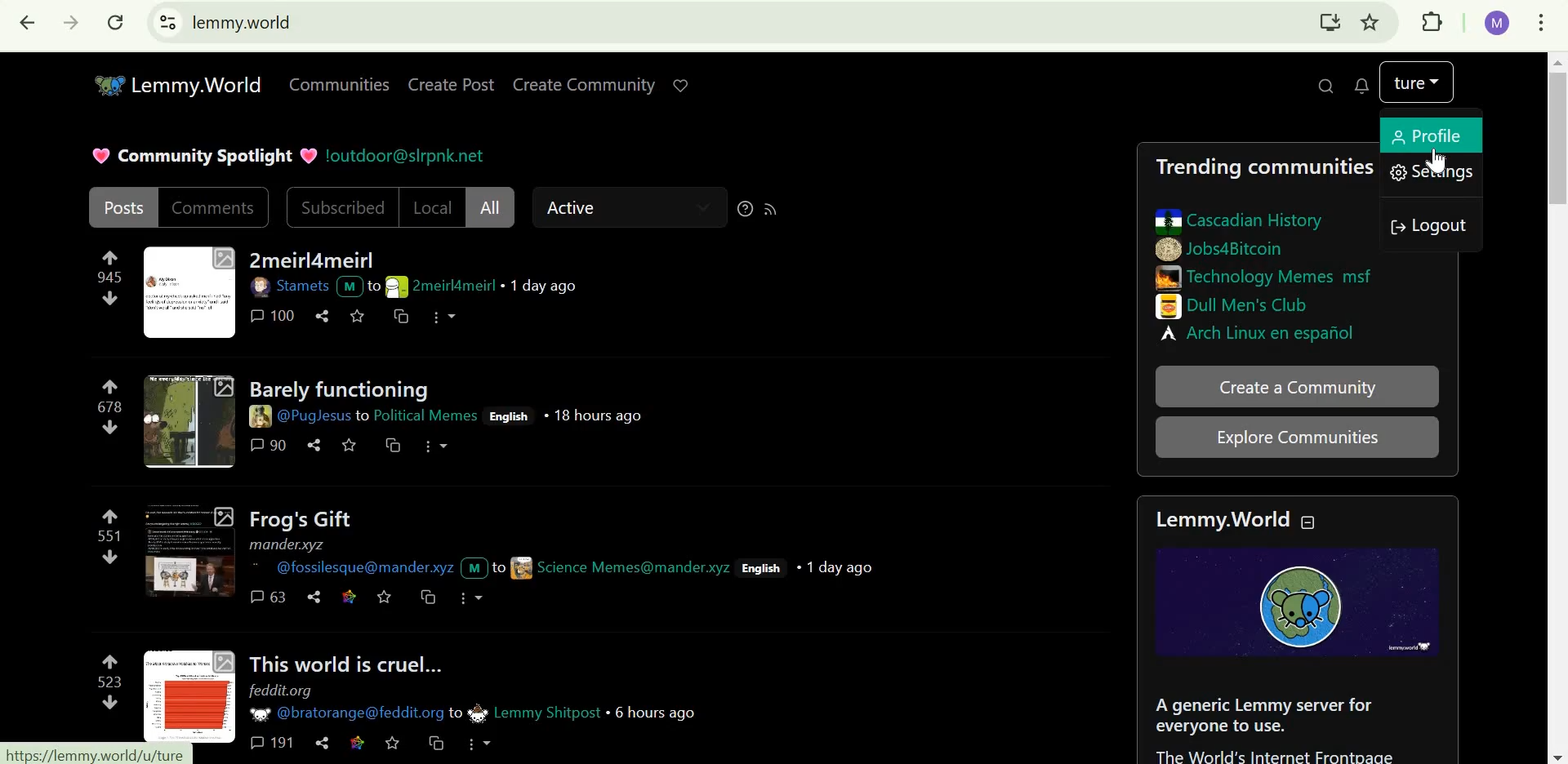 The image size is (1568, 764). Describe the element at coordinates (685, 83) in the screenshot. I see `support lemmy` at that location.